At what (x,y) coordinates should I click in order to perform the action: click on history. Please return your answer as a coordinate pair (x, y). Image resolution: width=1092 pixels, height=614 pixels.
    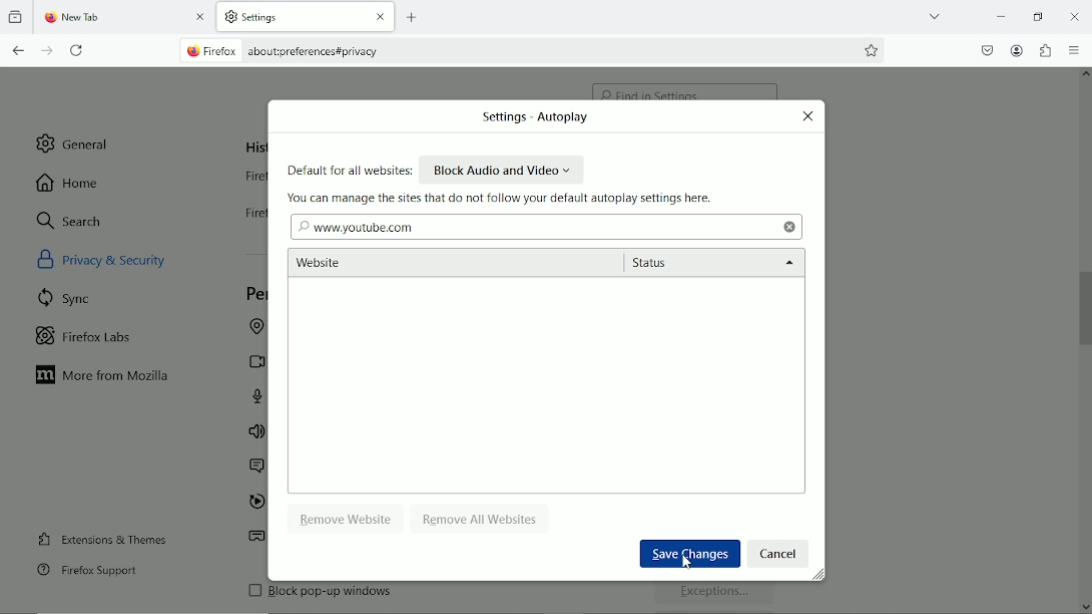
    Looking at the image, I should click on (254, 147).